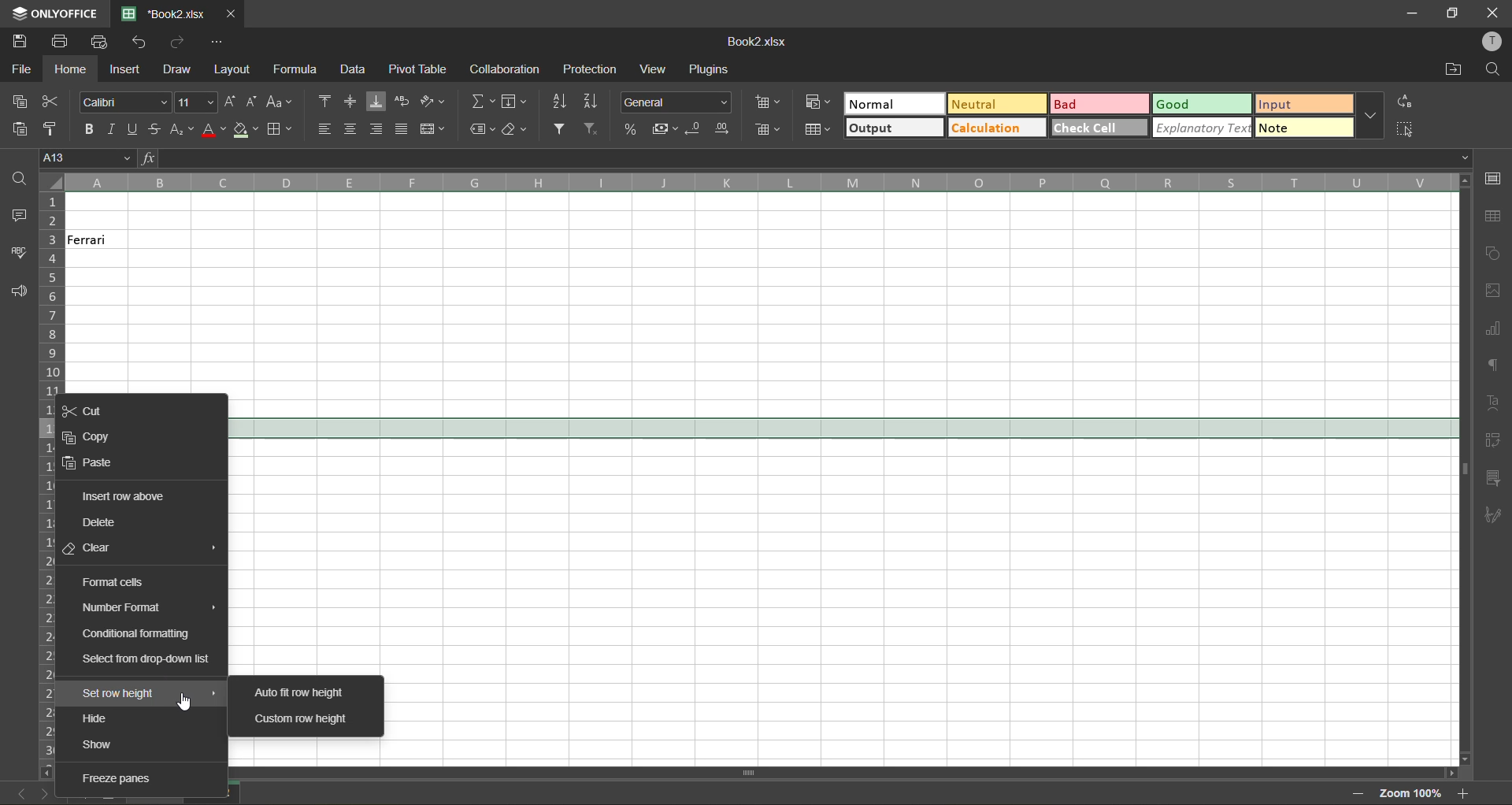  Describe the element at coordinates (87, 159) in the screenshot. I see `cell address` at that location.